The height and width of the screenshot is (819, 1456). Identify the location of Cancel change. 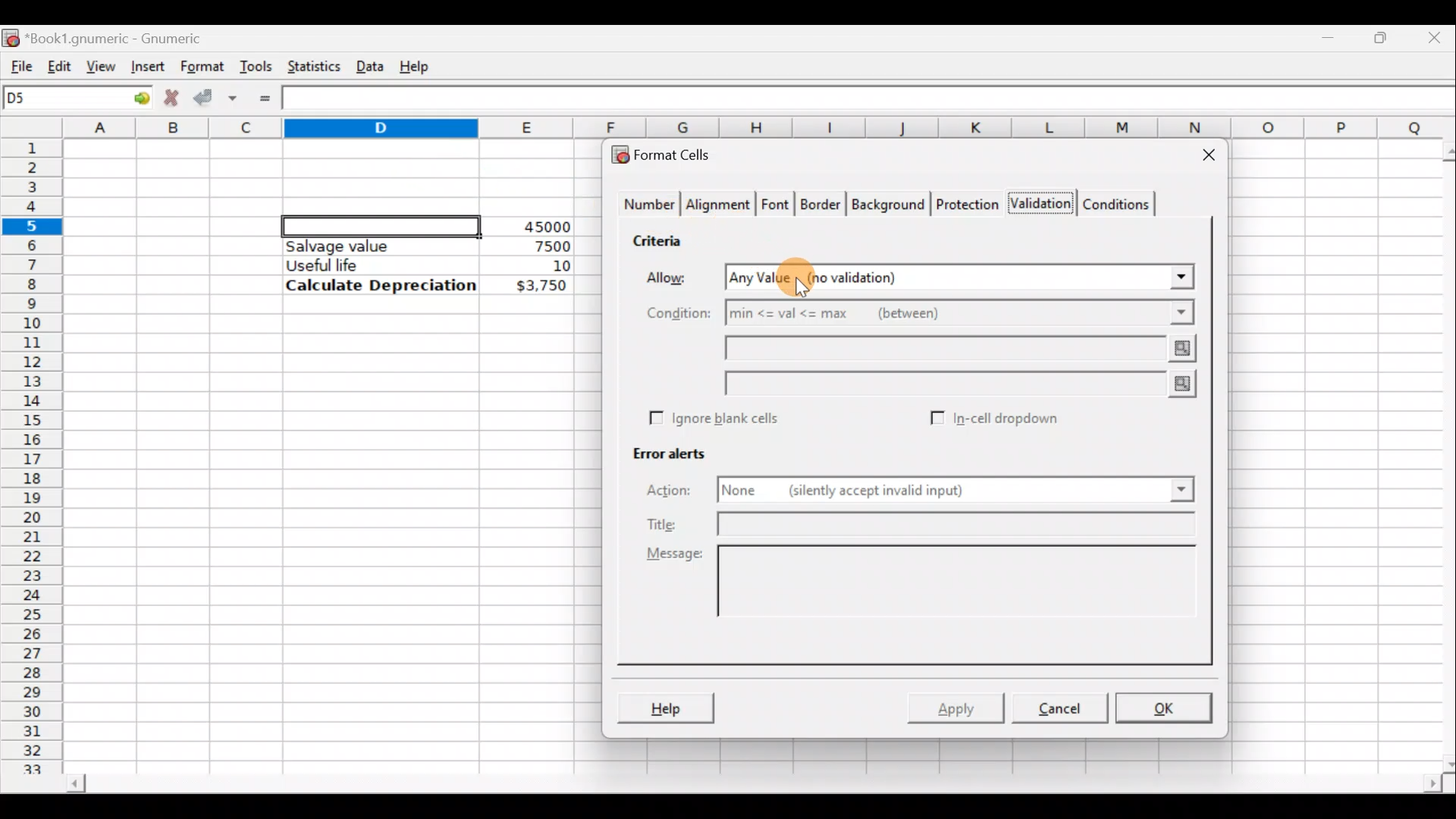
(170, 96).